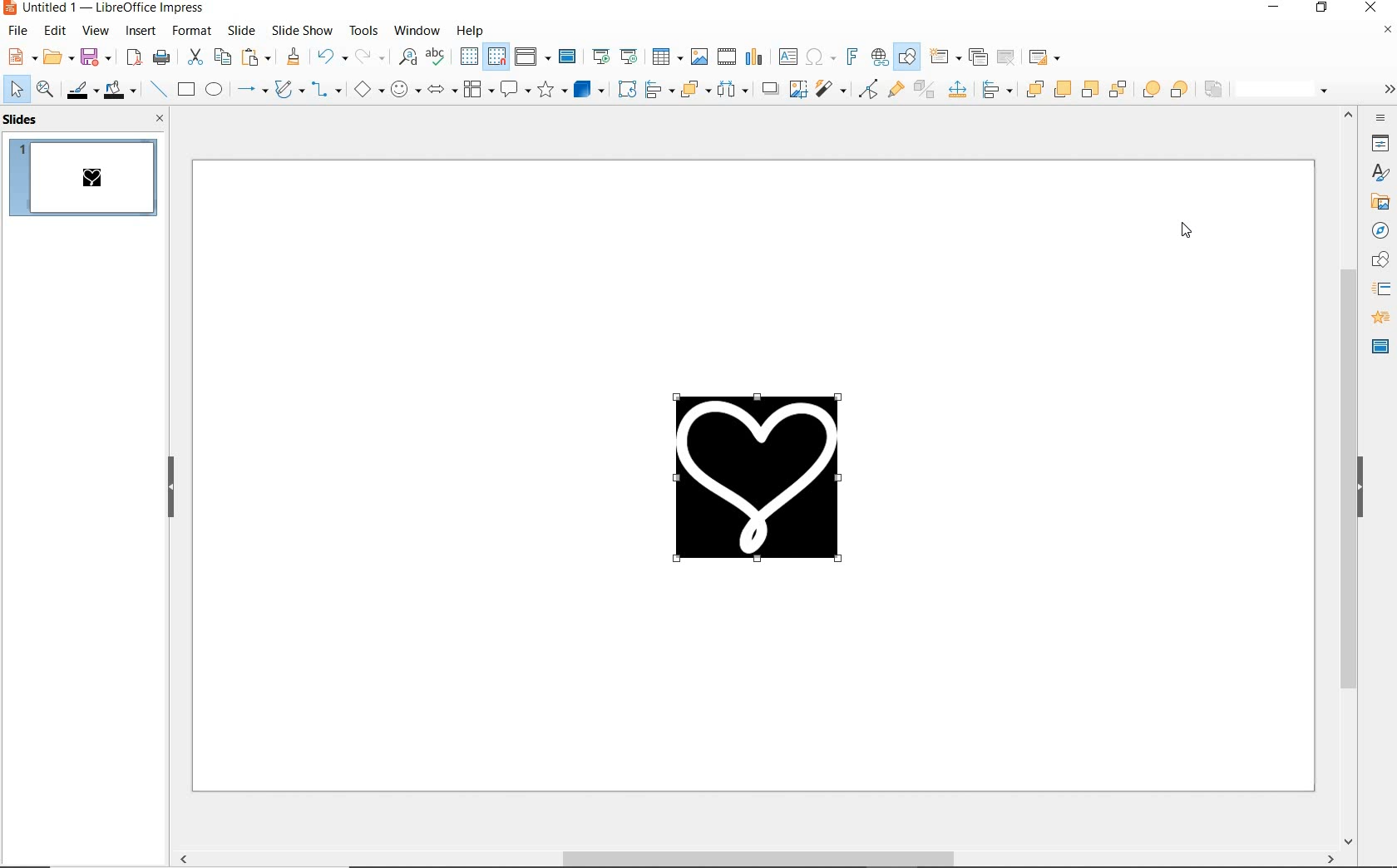 The image size is (1397, 868). Describe the element at coordinates (1382, 118) in the screenshot. I see `SIDEBAR SETTINGS` at that location.